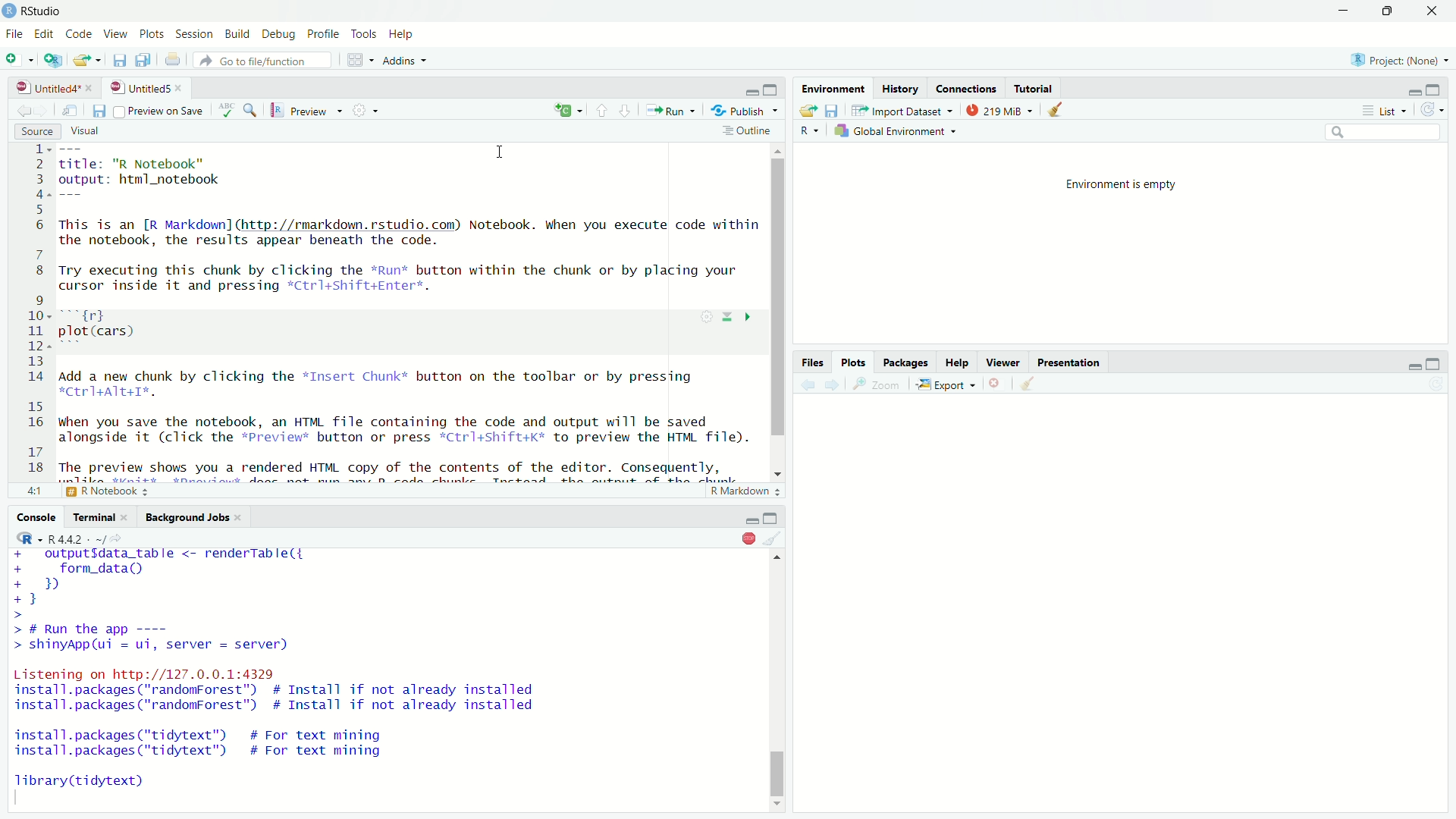  Describe the element at coordinates (14, 34) in the screenshot. I see `File` at that location.